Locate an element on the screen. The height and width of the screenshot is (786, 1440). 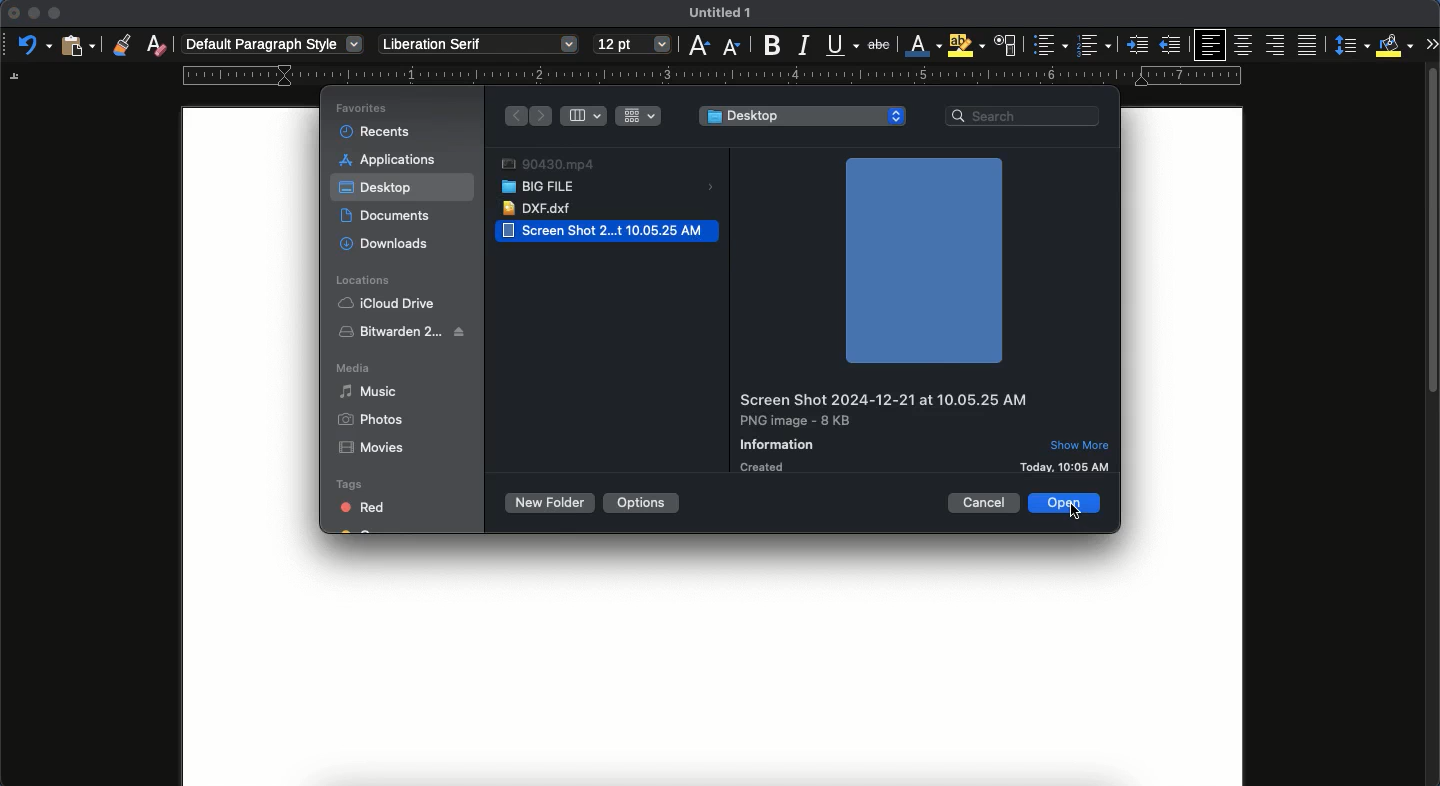
column is located at coordinates (586, 116).